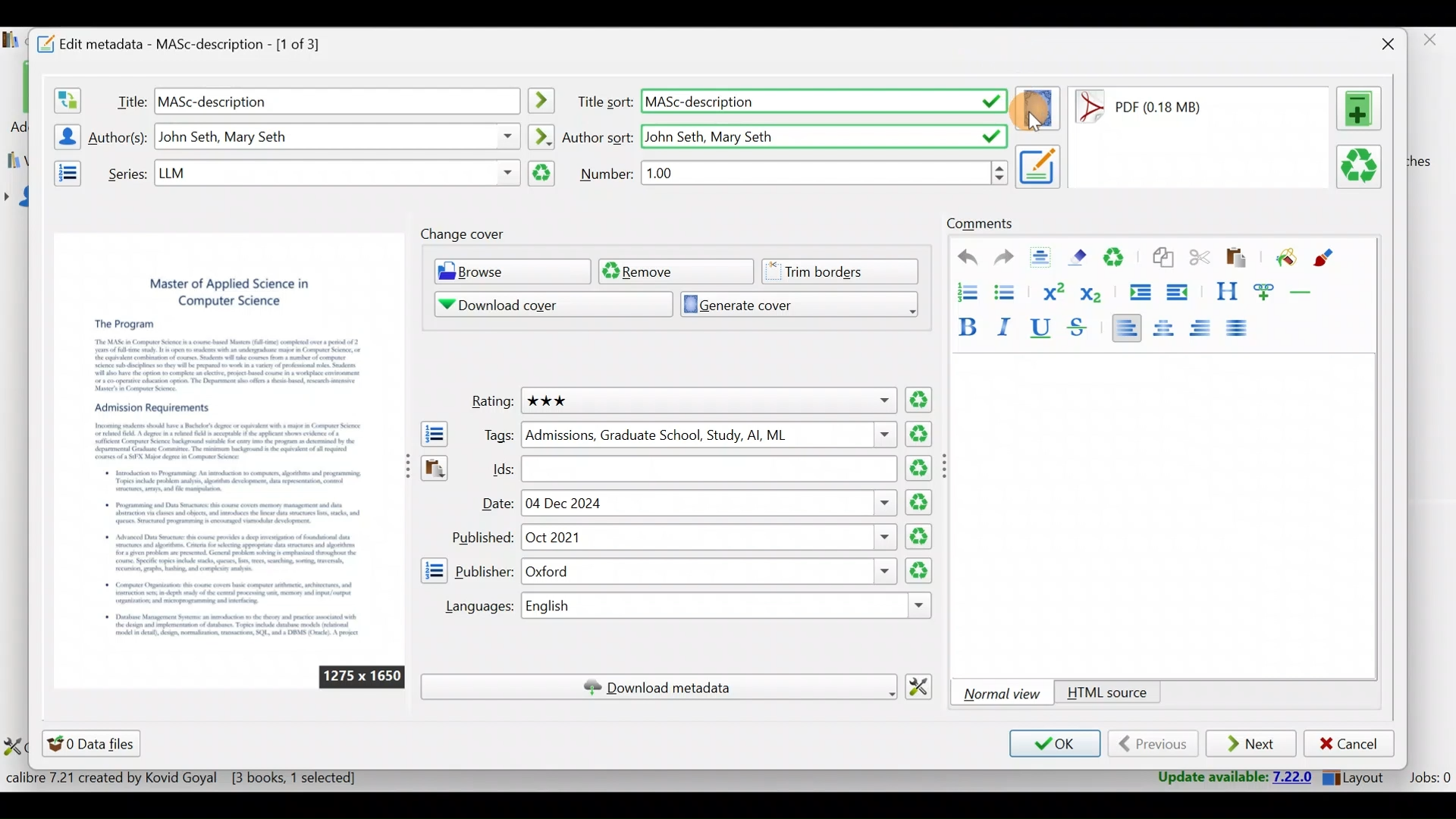  Describe the element at coordinates (823, 134) in the screenshot. I see `` at that location.